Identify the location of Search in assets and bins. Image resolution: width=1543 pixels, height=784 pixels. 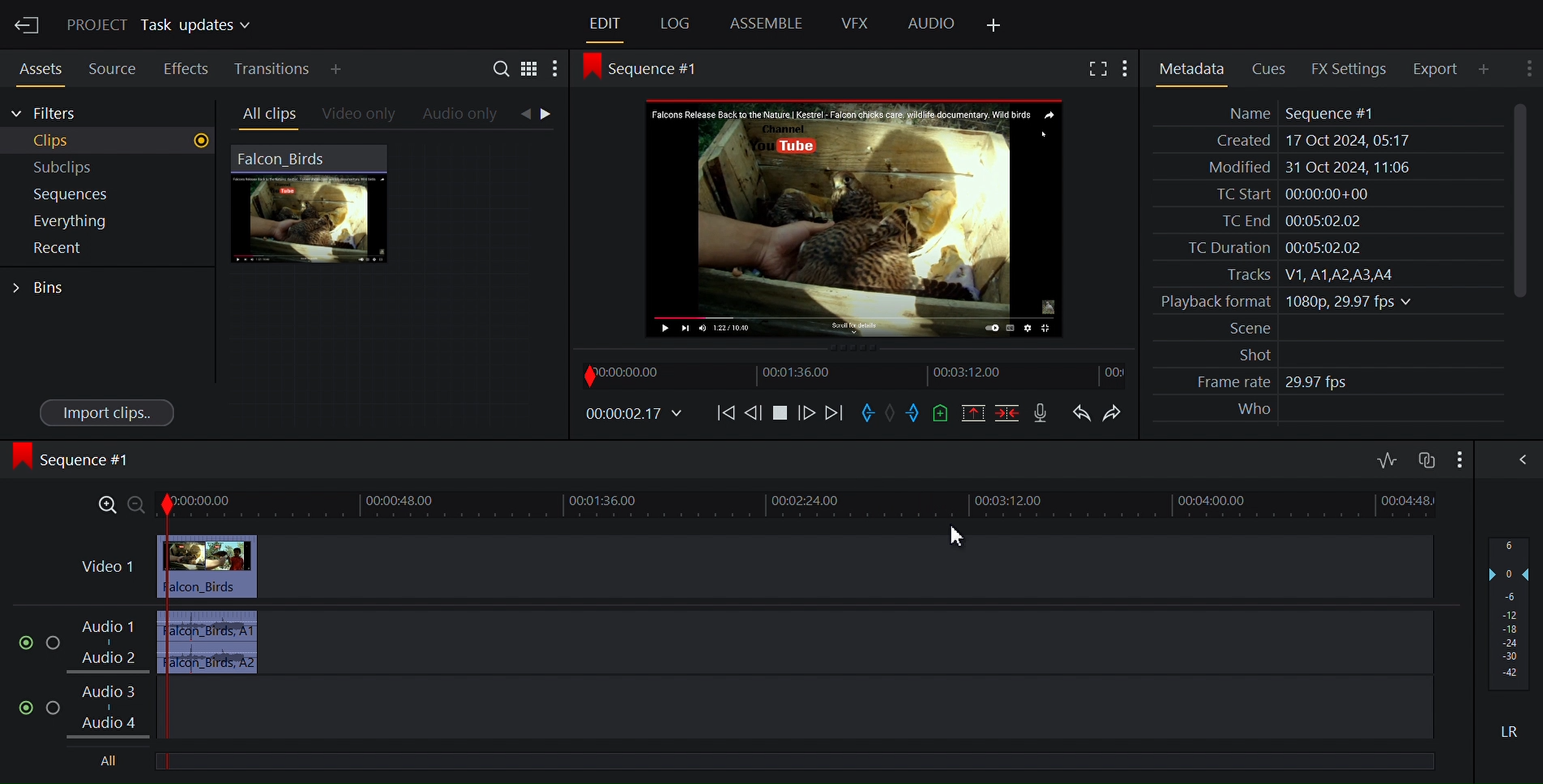
(500, 66).